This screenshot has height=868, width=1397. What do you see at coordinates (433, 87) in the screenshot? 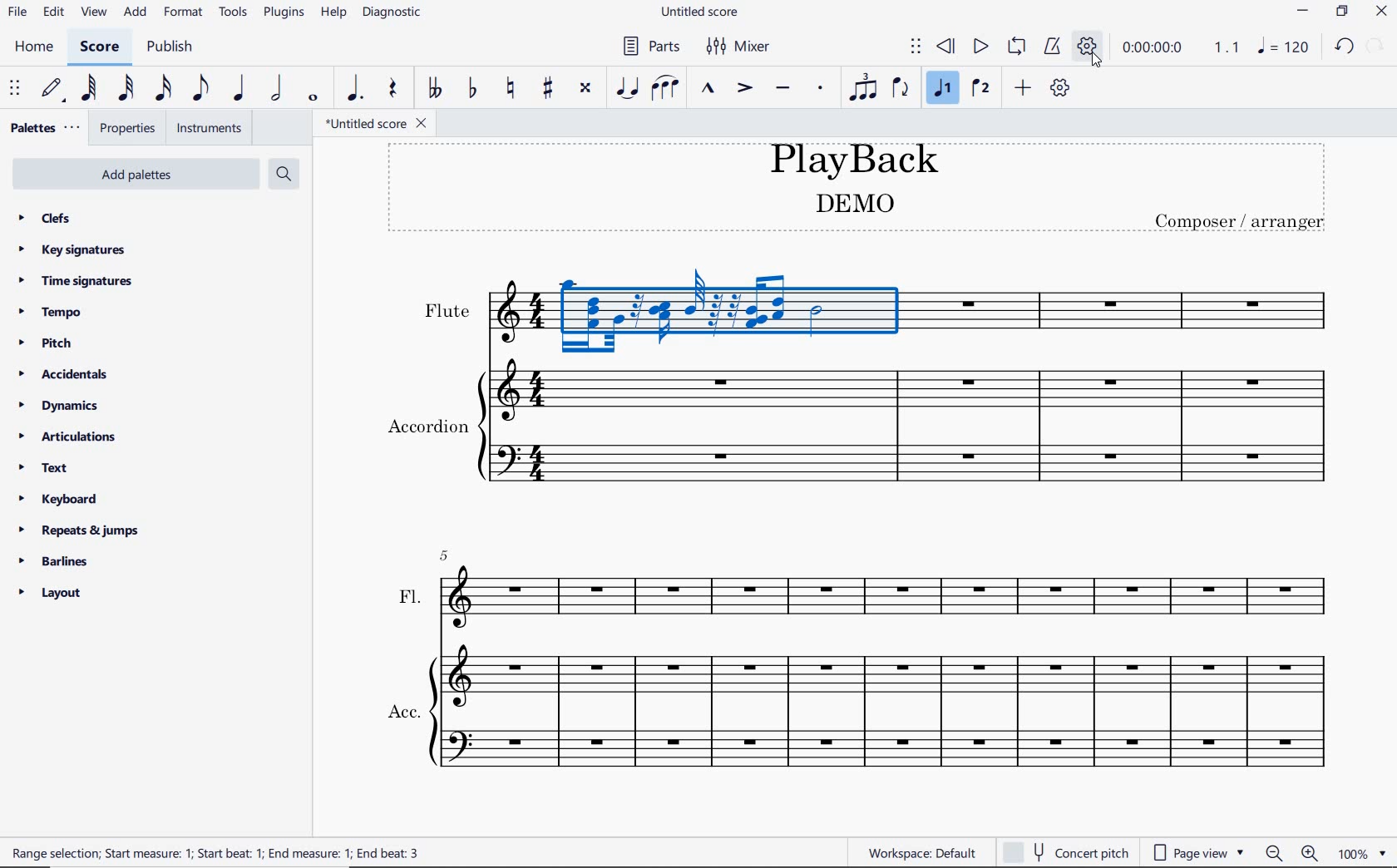
I see `toggle double-flat` at bounding box center [433, 87].